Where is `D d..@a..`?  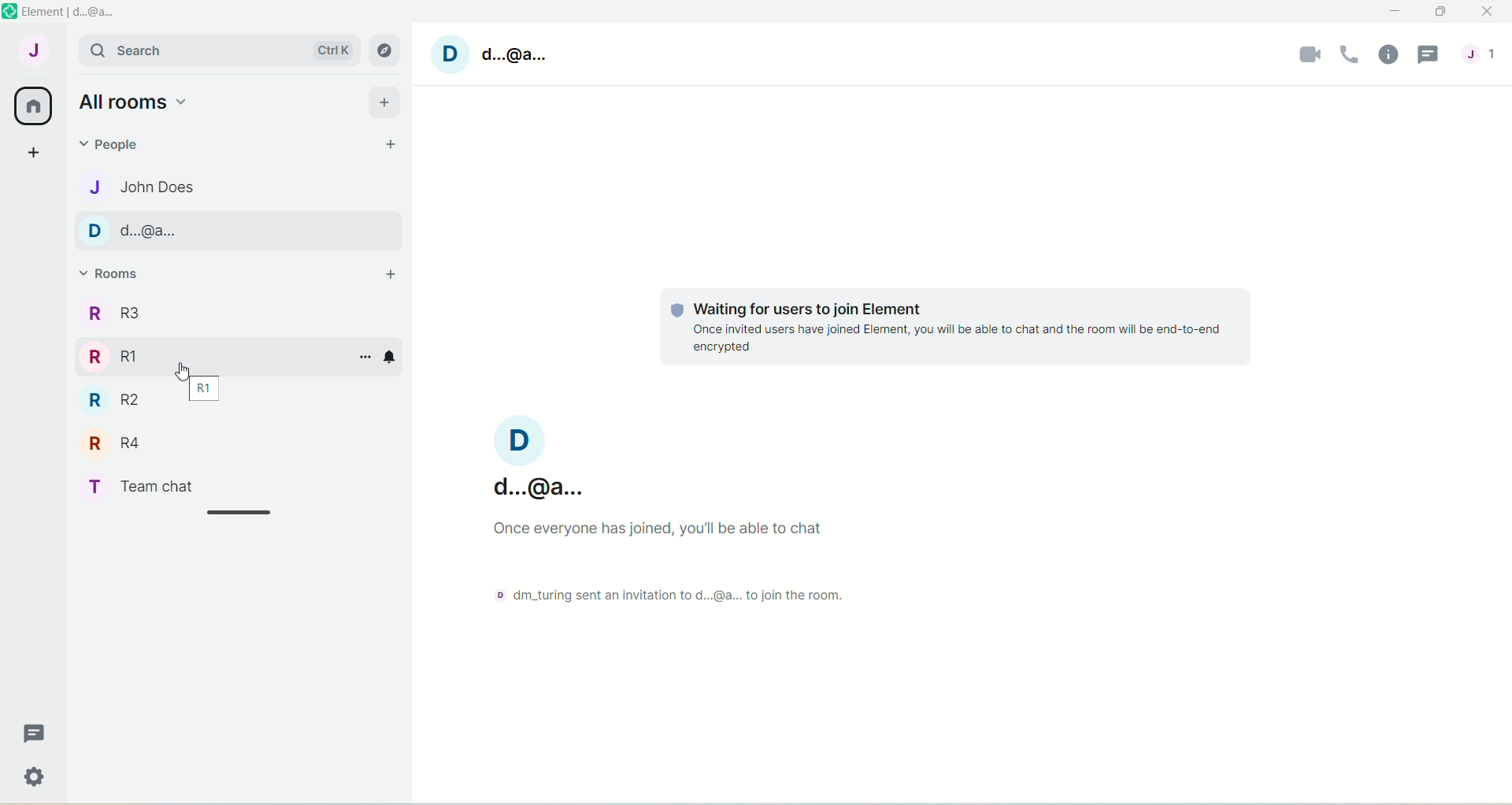
D d..@a.. is located at coordinates (131, 233).